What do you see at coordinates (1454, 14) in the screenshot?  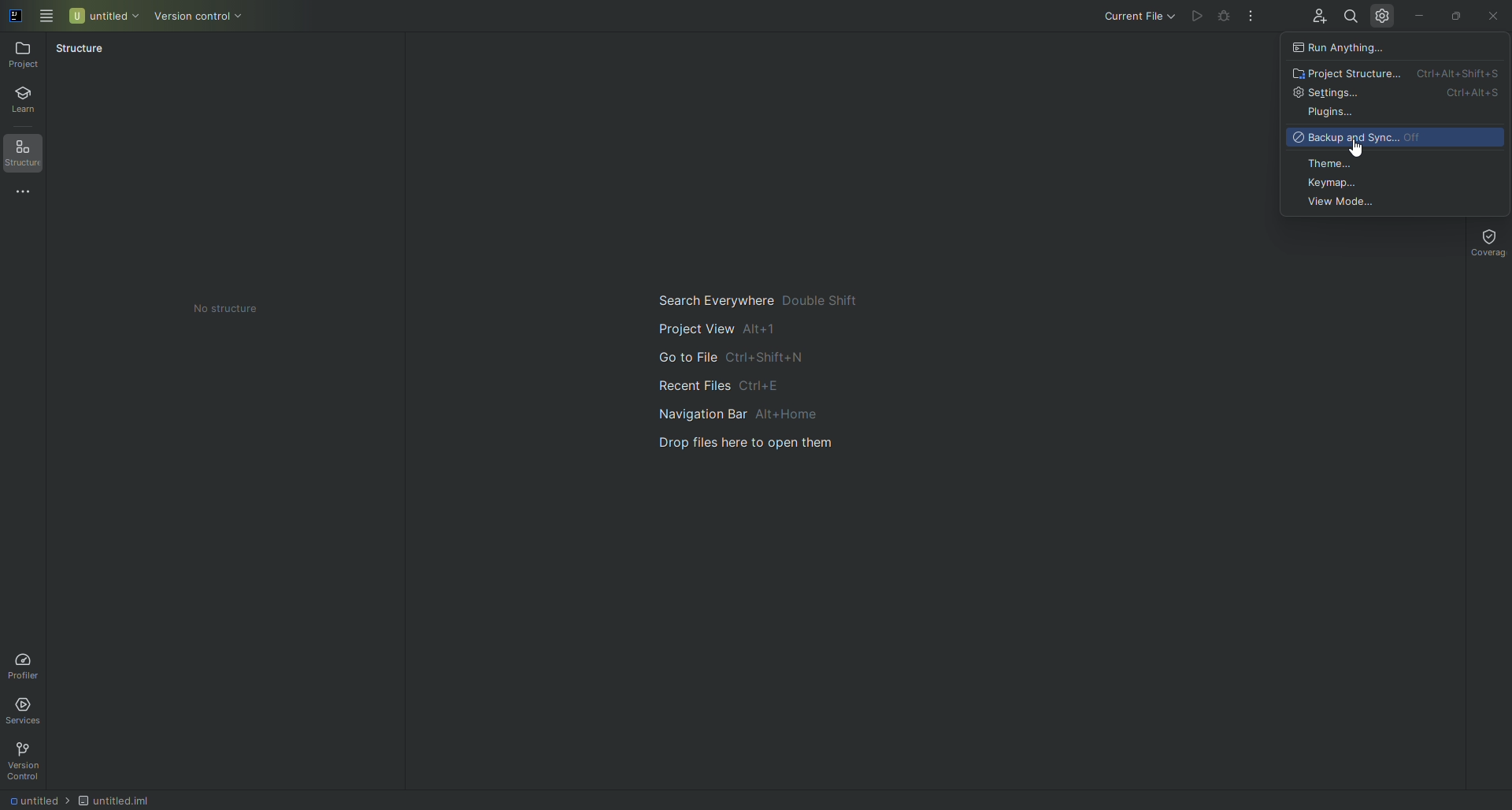 I see `Restore` at bounding box center [1454, 14].